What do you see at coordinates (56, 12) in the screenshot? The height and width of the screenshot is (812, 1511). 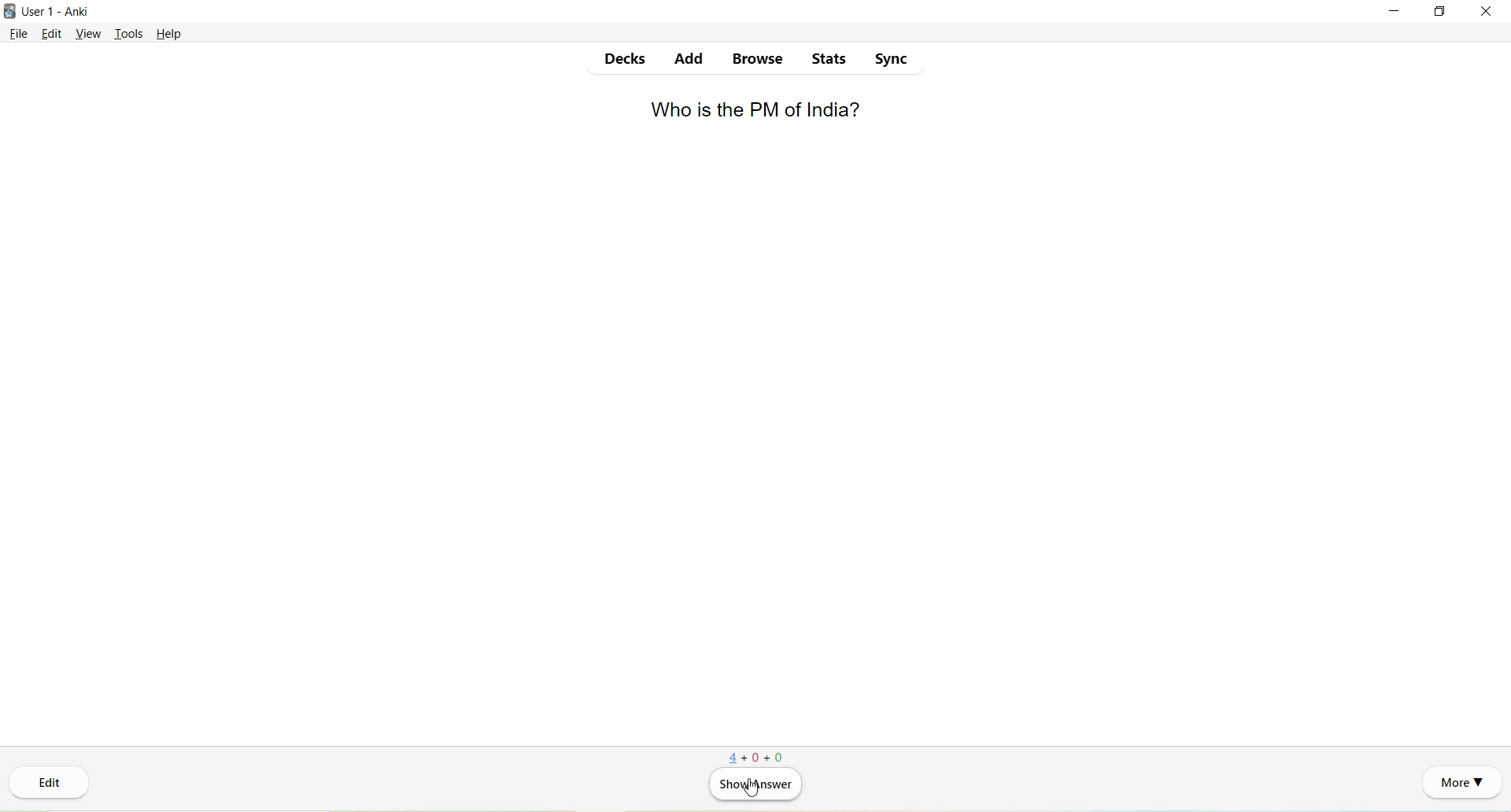 I see `User 1 - Anki` at bounding box center [56, 12].